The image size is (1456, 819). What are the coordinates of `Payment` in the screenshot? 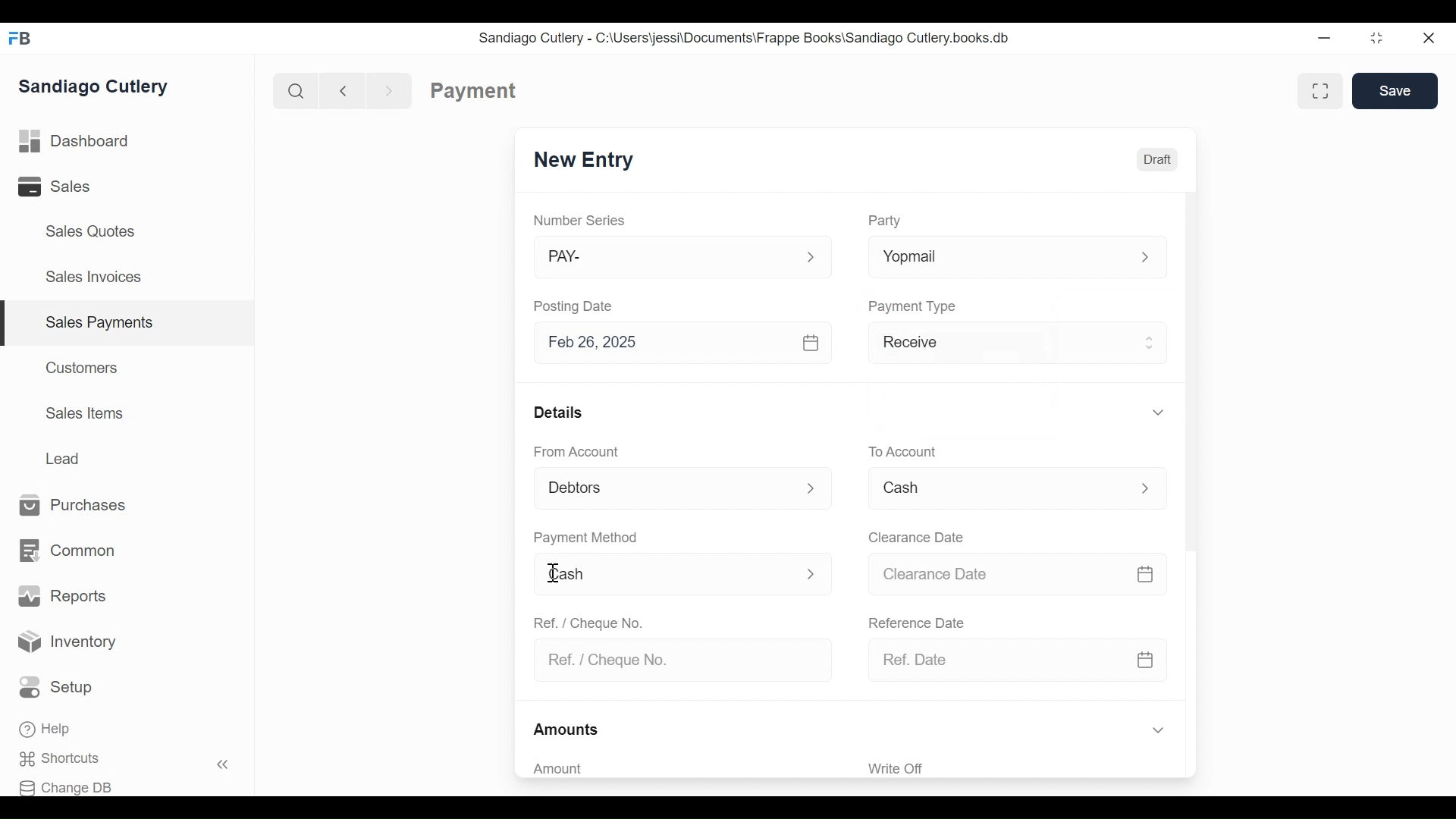 It's located at (474, 91).